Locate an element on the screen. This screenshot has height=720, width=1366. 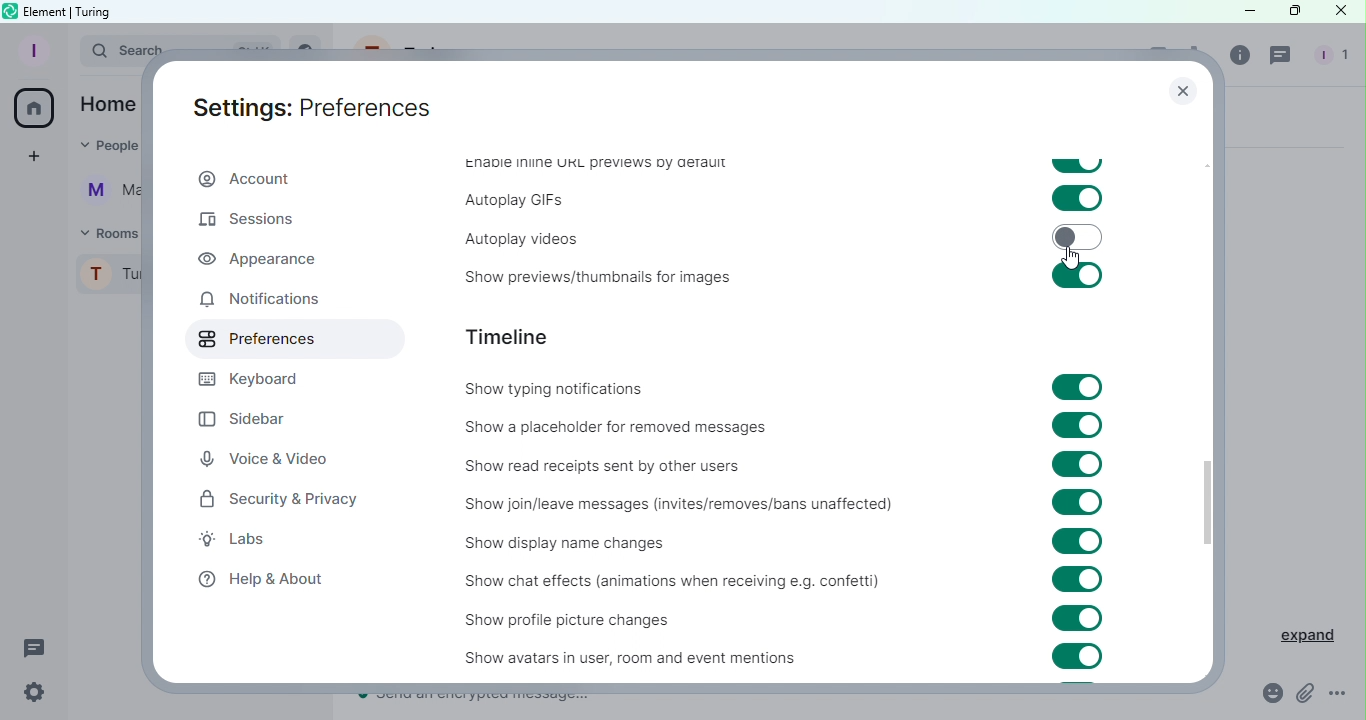
Toggle is located at coordinates (1078, 236).